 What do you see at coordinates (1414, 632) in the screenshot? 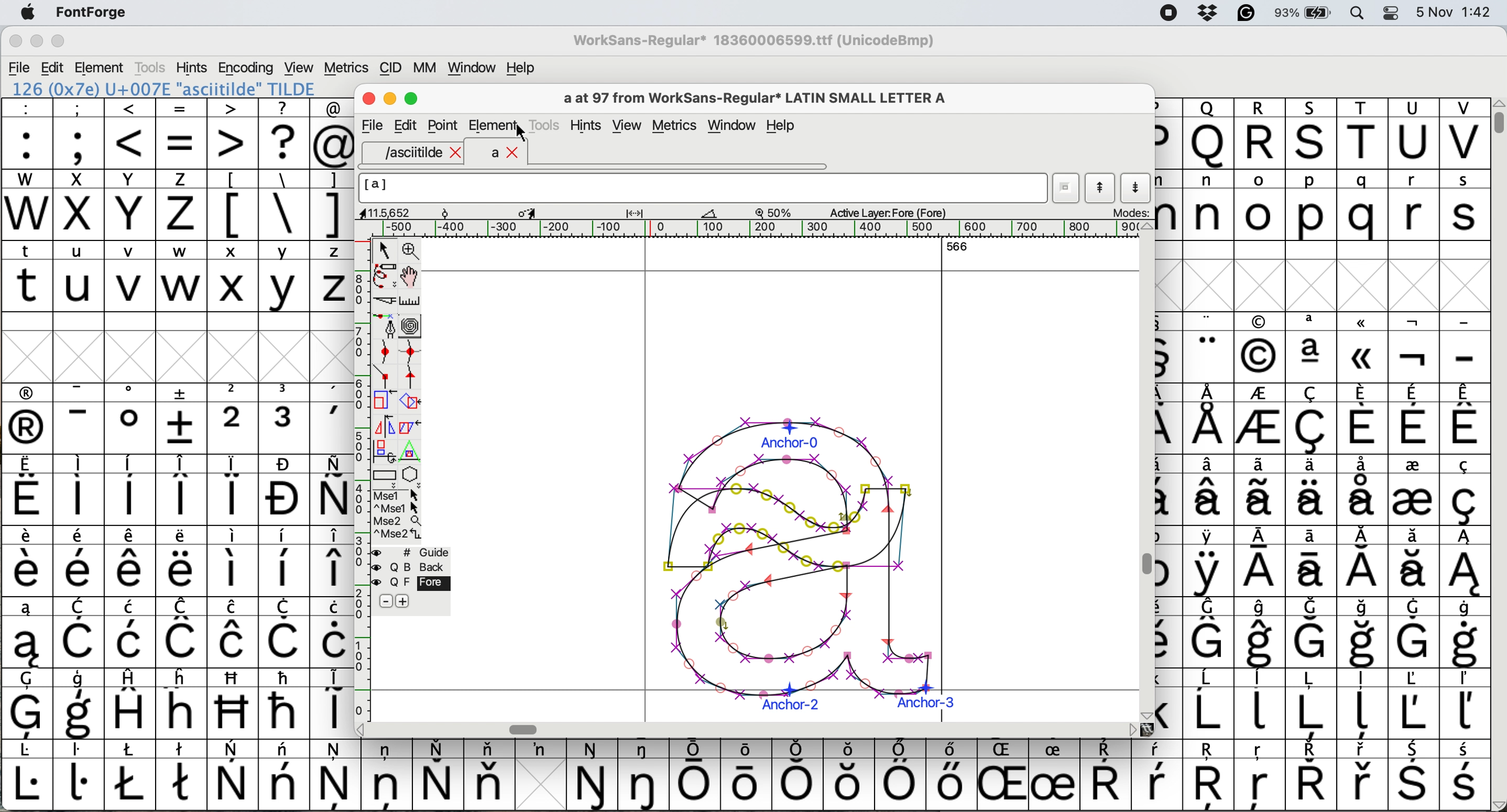
I see `symbol` at bounding box center [1414, 632].